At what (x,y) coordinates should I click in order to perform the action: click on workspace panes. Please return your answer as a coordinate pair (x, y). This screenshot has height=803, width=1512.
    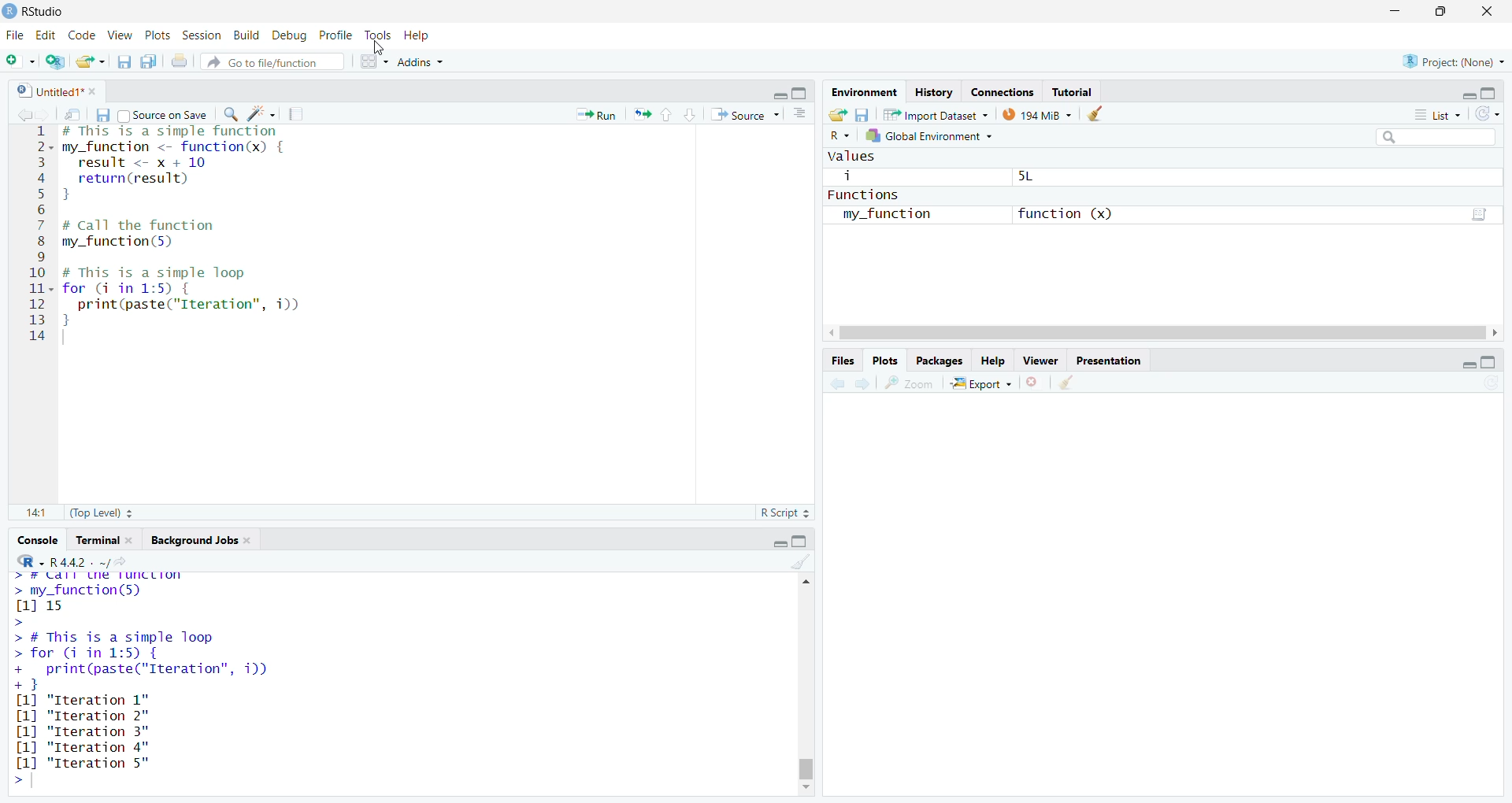
    Looking at the image, I should click on (372, 60).